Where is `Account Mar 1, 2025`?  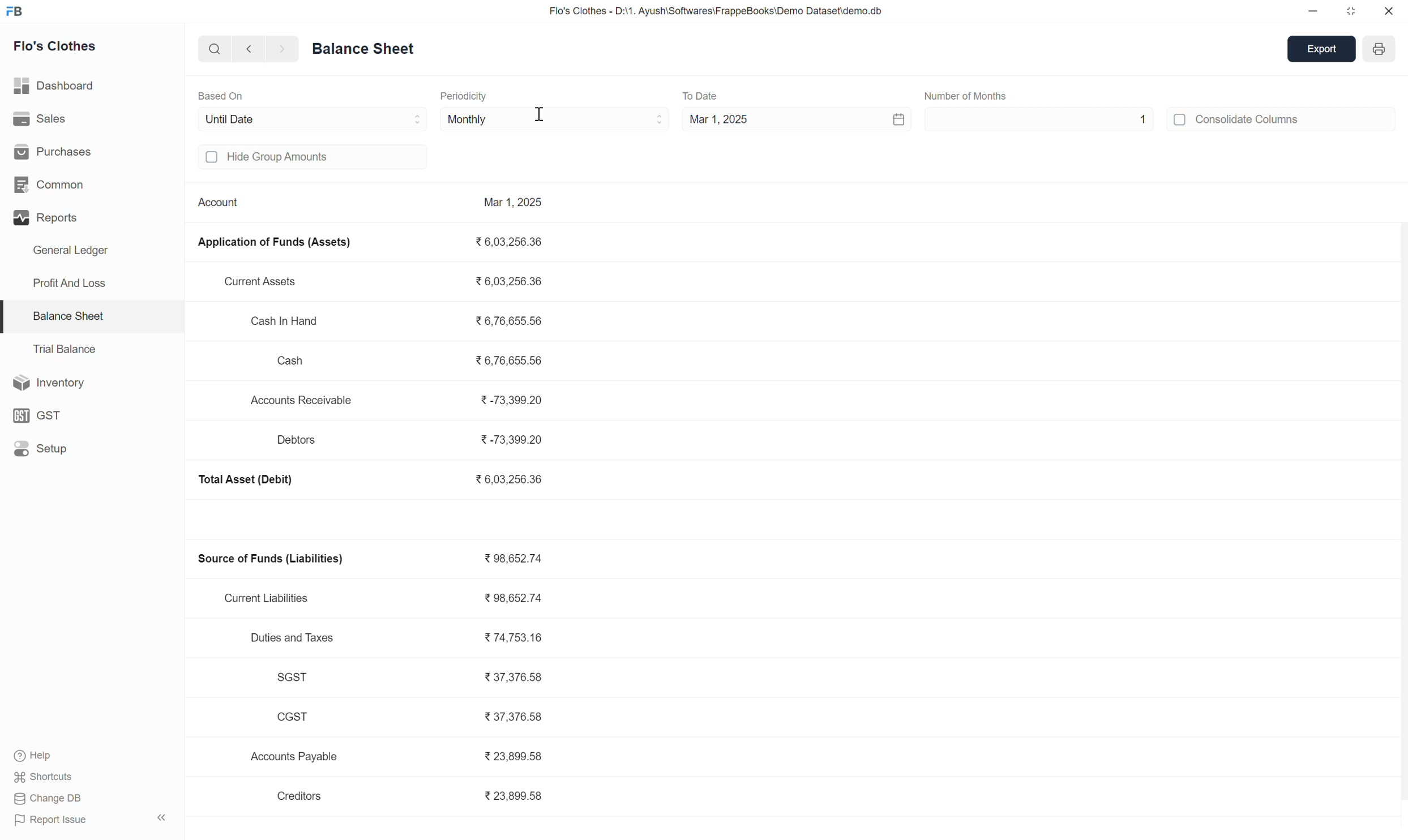 Account Mar 1, 2025 is located at coordinates (372, 205).